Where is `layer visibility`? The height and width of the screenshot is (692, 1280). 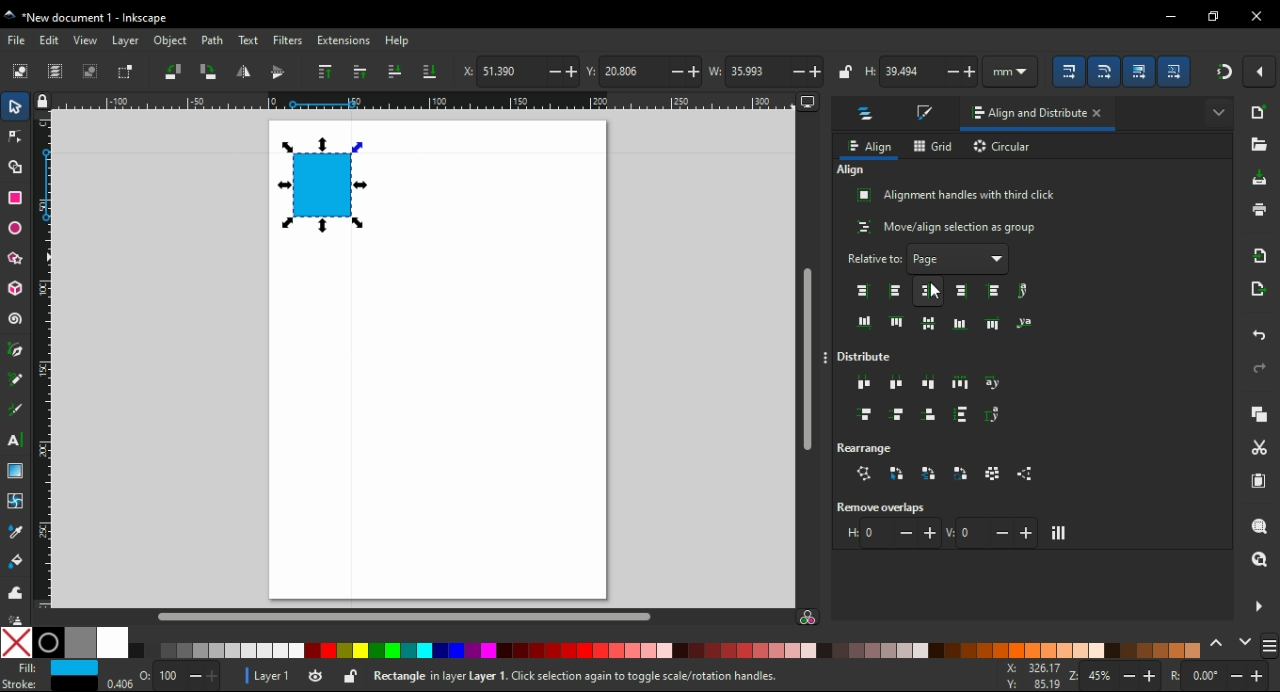
layer visibility is located at coordinates (314, 674).